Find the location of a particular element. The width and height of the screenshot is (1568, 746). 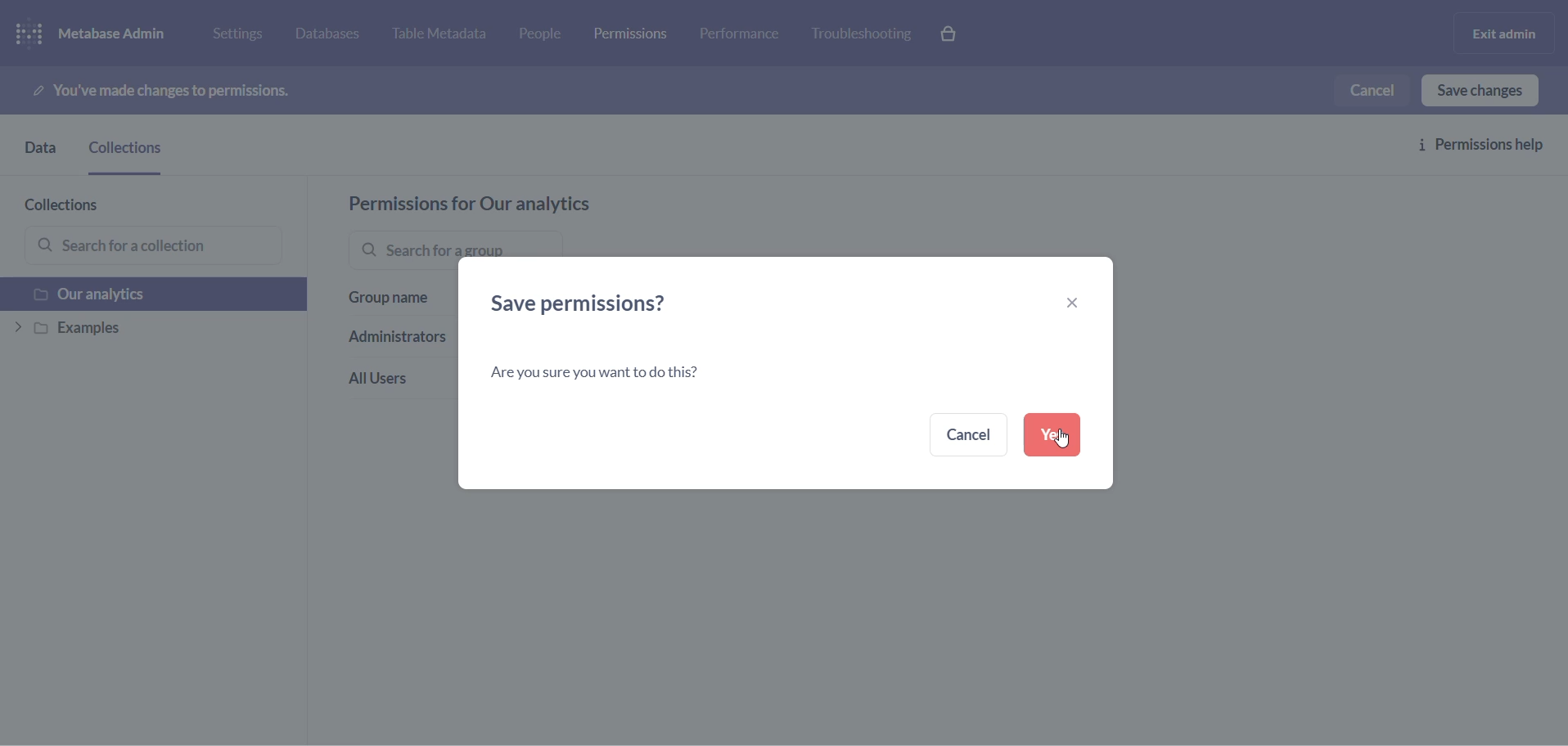

collections is located at coordinates (79, 204).